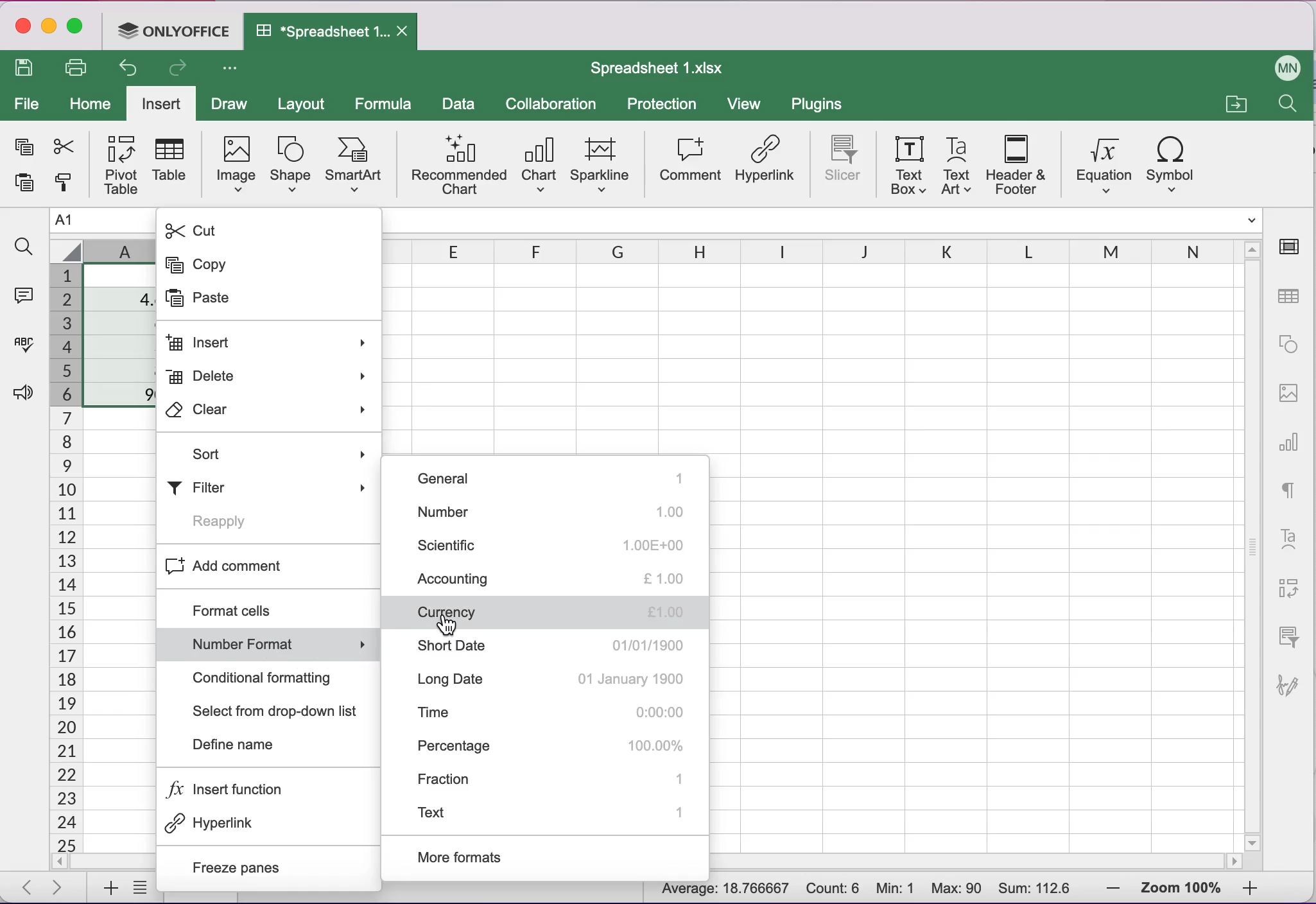 Image resolution: width=1316 pixels, height=904 pixels. I want to click on scientific, so click(559, 544).